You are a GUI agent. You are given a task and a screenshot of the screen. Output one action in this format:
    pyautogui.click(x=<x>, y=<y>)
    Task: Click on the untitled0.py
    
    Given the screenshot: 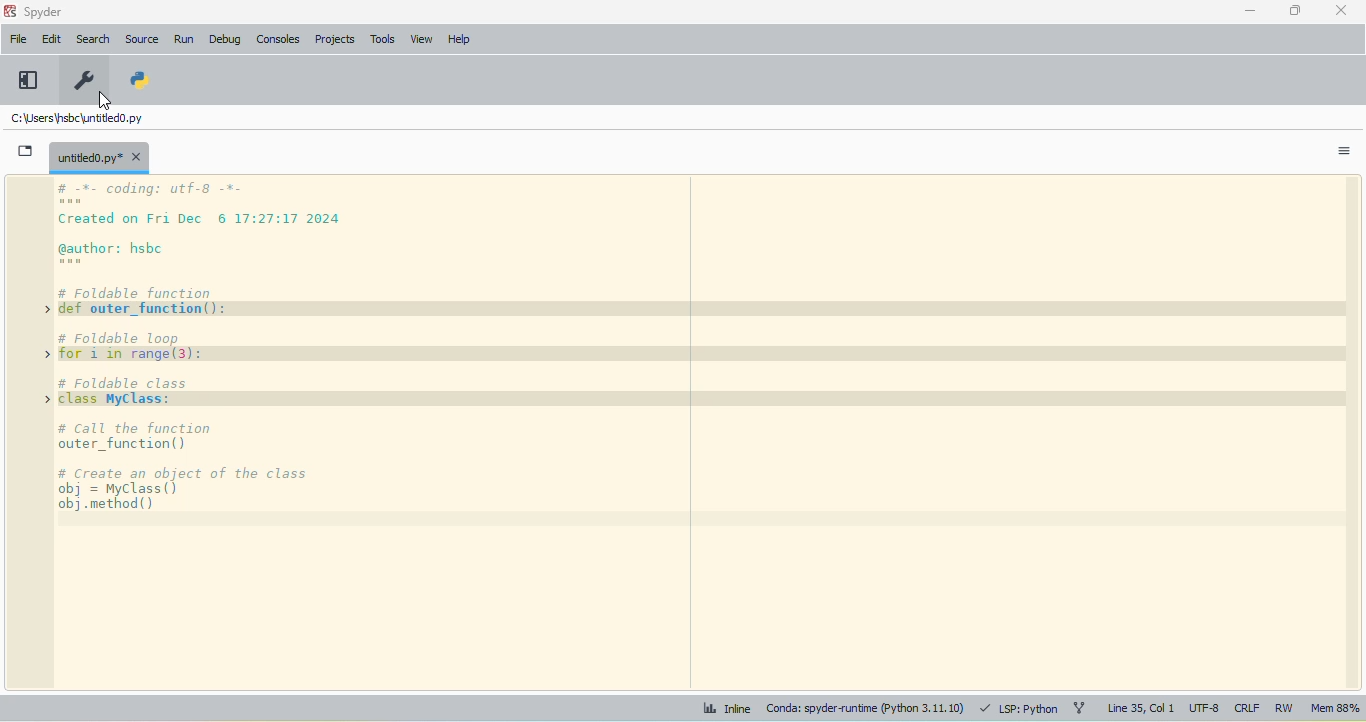 What is the action you would take?
    pyautogui.click(x=99, y=157)
    